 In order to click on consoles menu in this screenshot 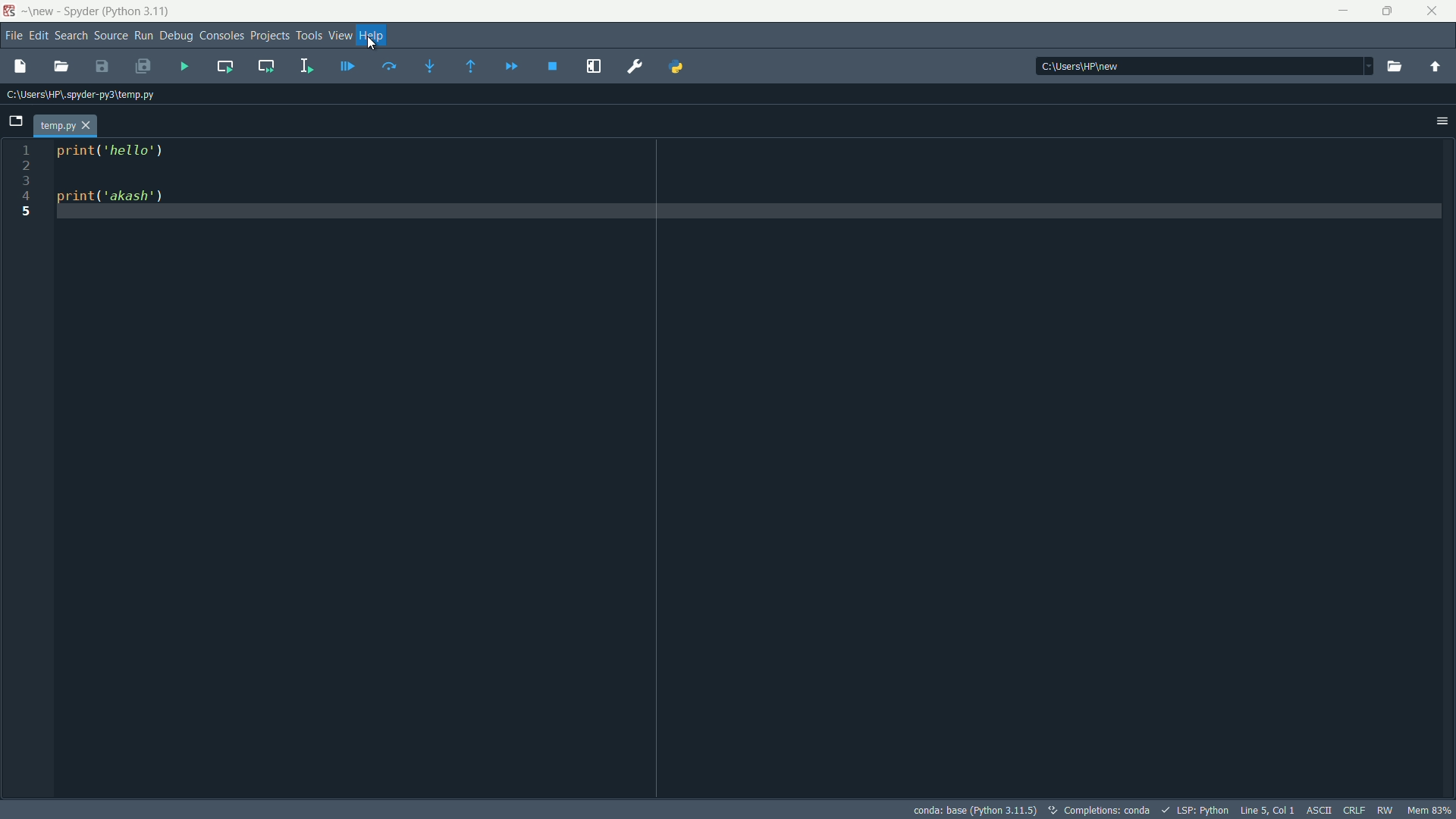, I will do `click(219, 36)`.